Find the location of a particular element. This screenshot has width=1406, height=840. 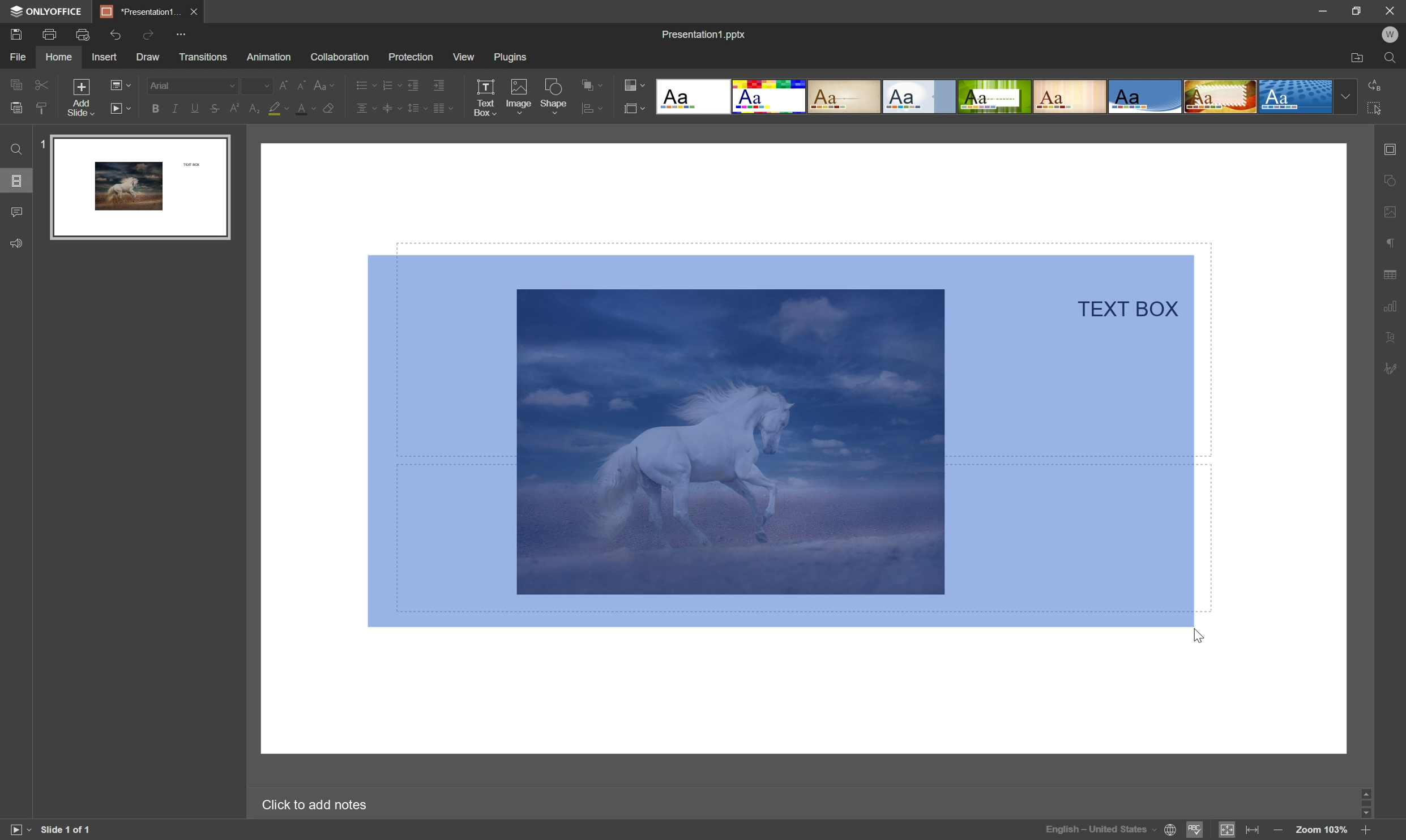

text art settings is located at coordinates (1388, 336).